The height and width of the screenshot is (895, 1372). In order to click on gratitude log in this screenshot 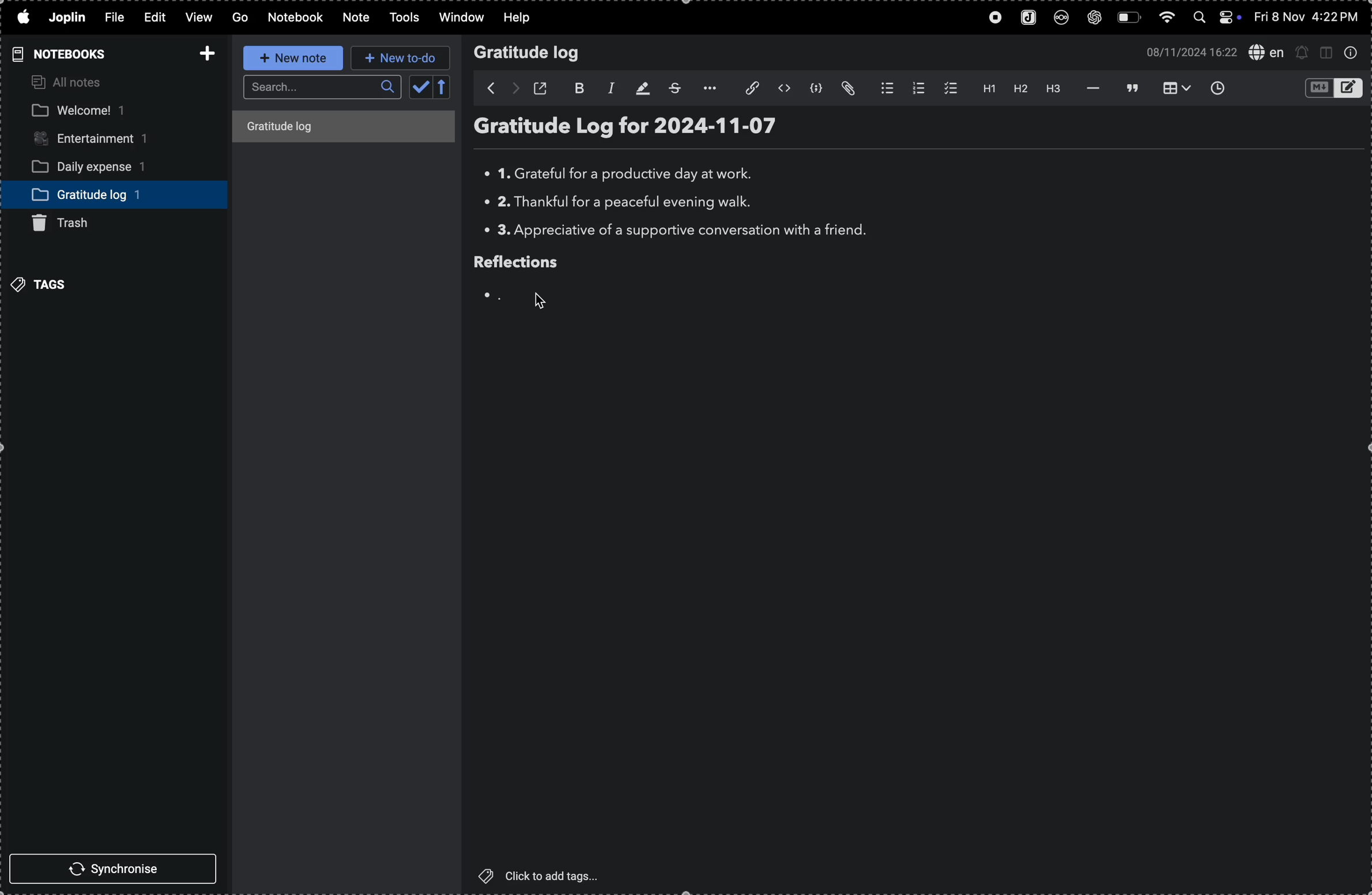, I will do `click(84, 194)`.